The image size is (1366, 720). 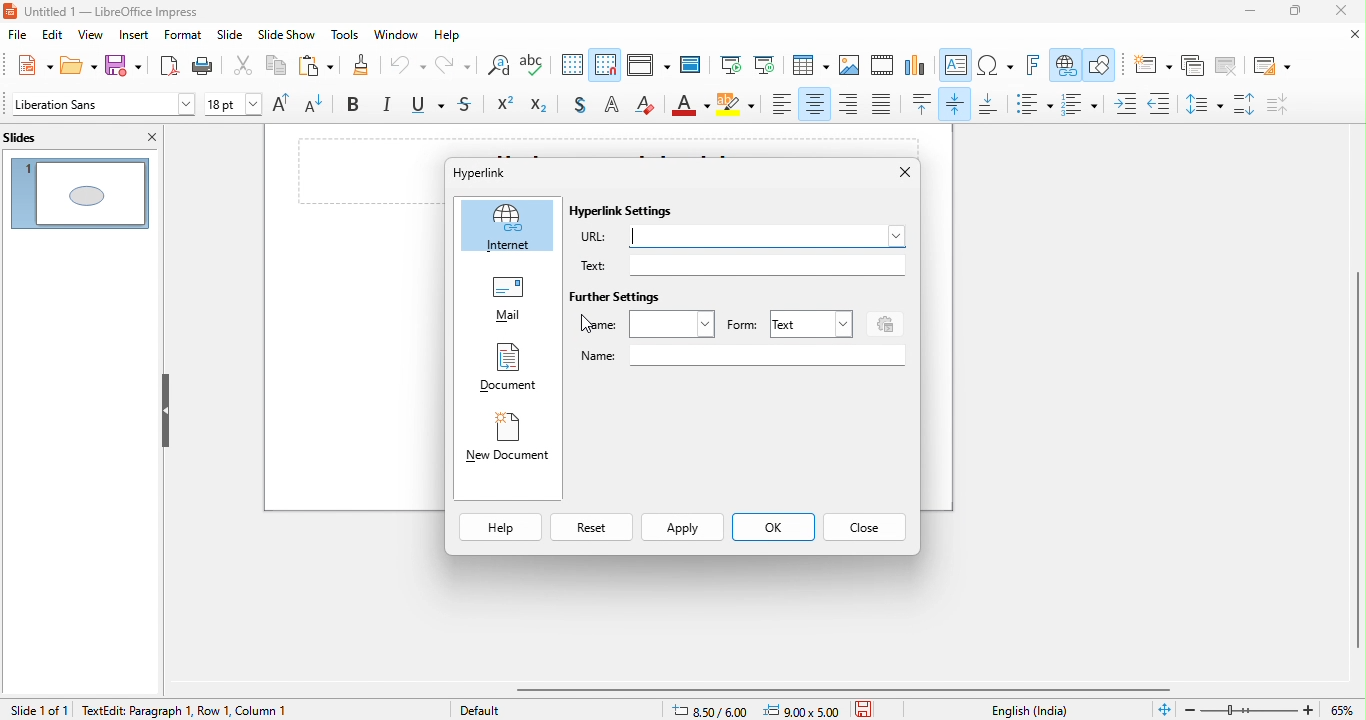 What do you see at coordinates (28, 65) in the screenshot?
I see `new` at bounding box center [28, 65].